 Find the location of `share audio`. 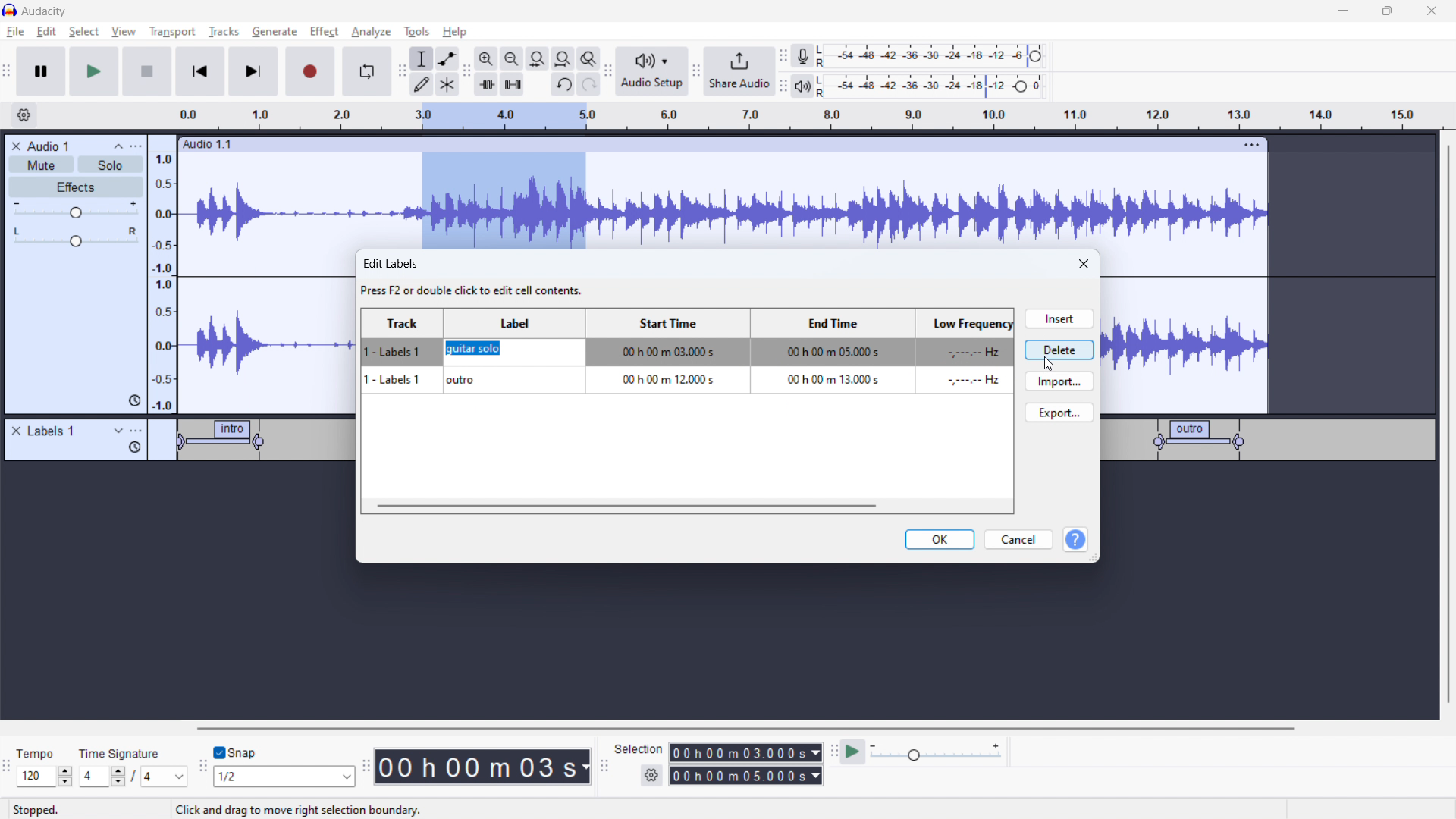

share audio is located at coordinates (738, 71).